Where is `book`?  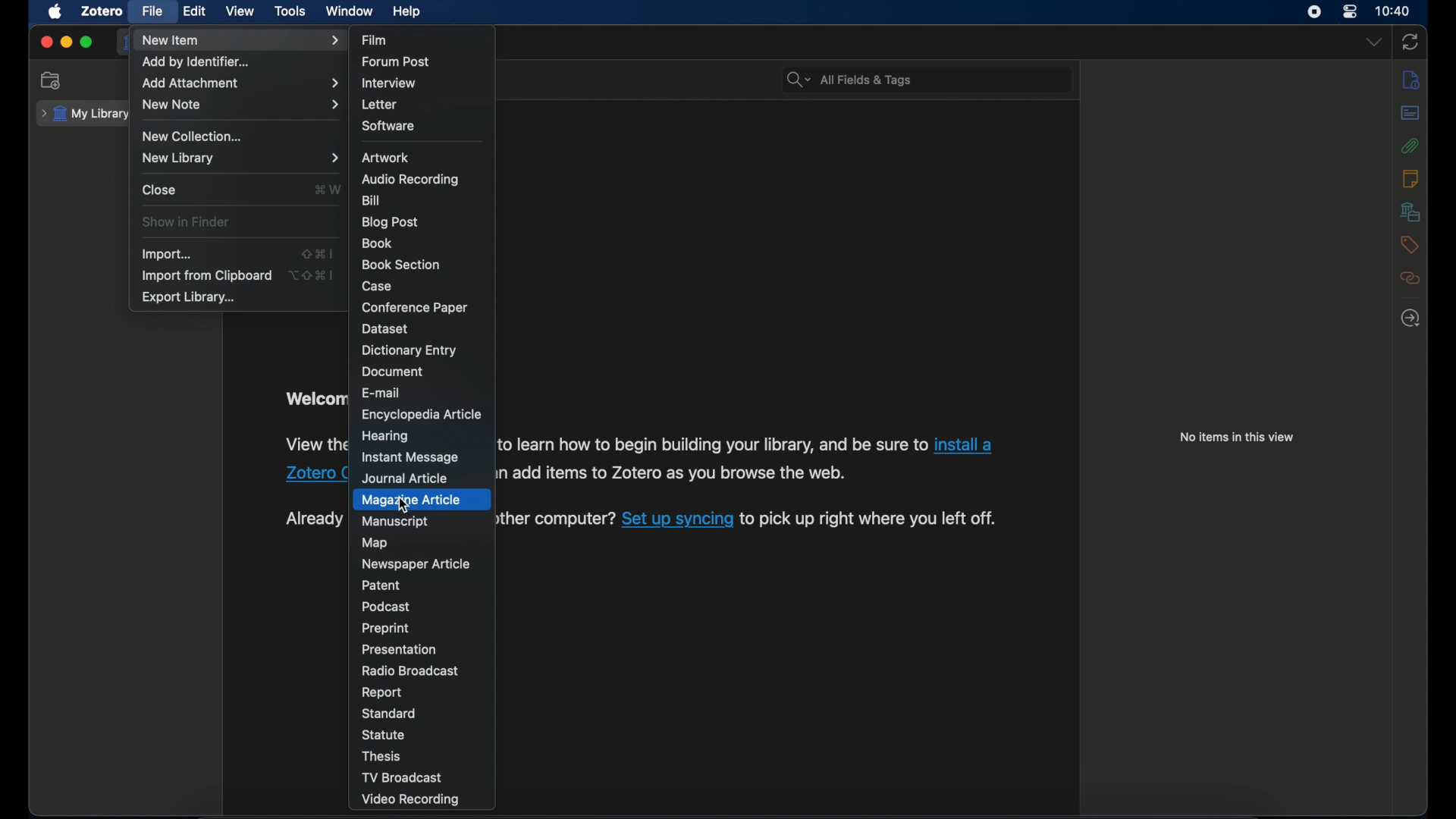
book is located at coordinates (378, 243).